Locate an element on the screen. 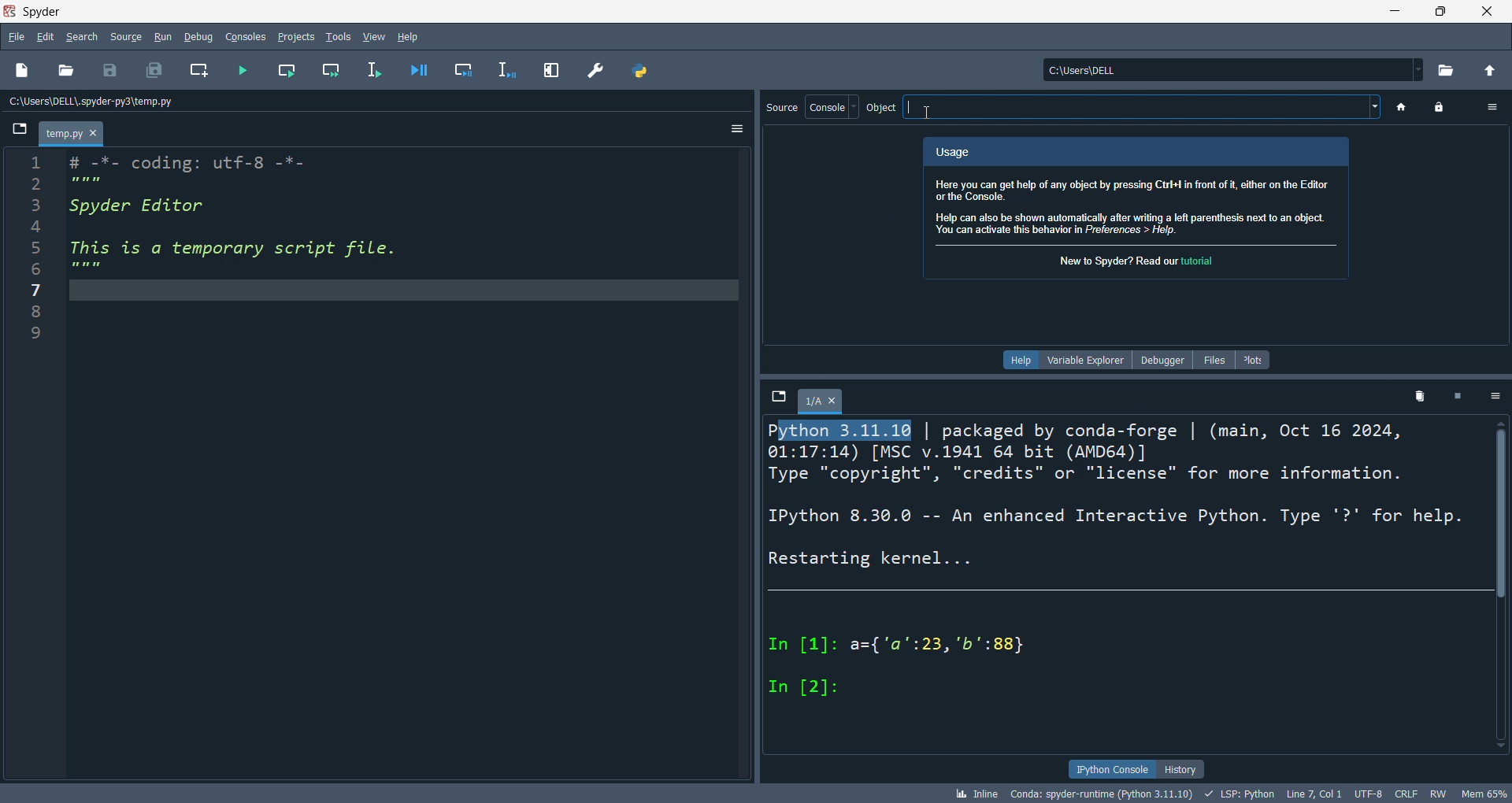 The width and height of the screenshot is (1512, 803). options is located at coordinates (1492, 395).